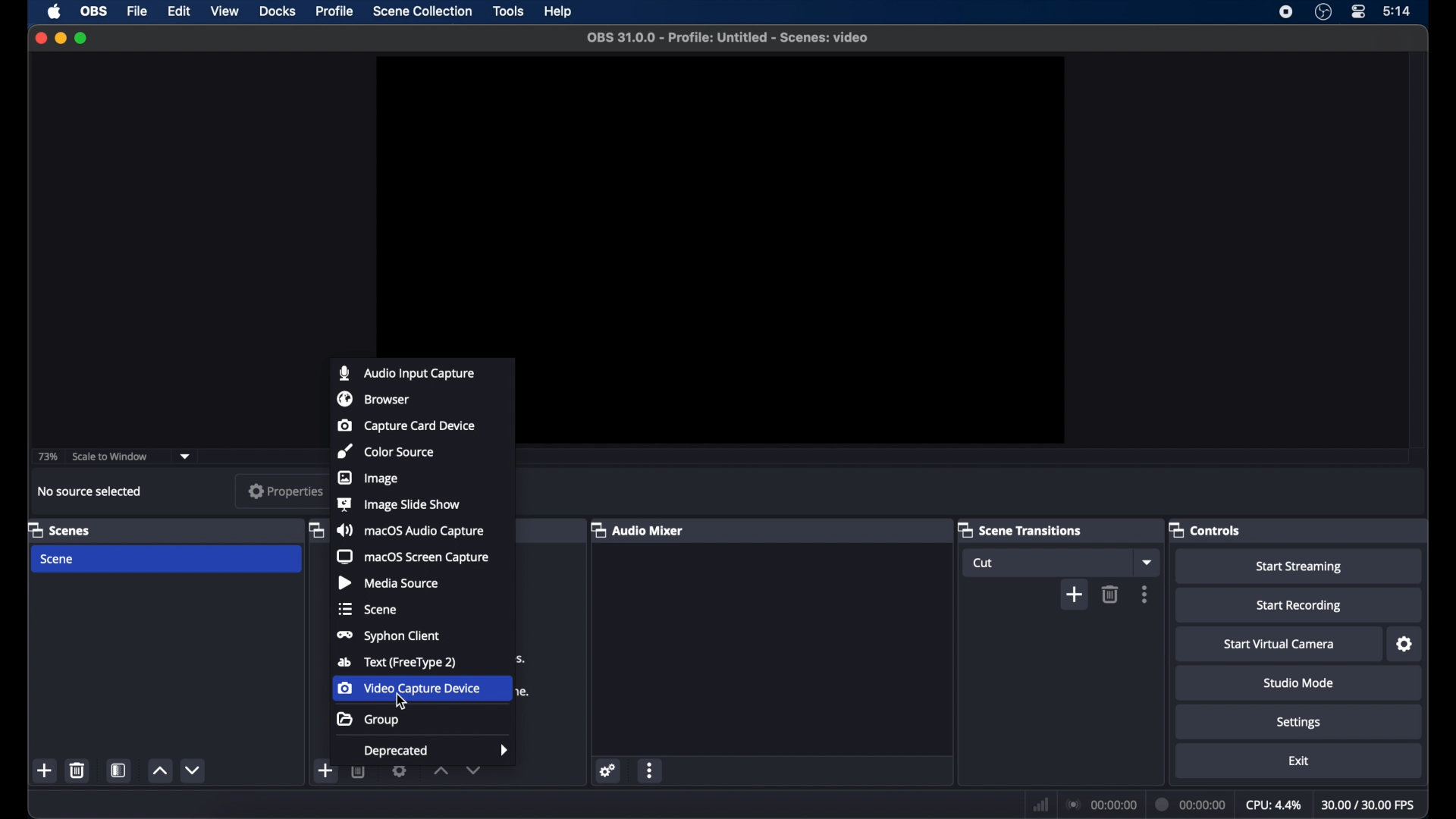 Image resolution: width=1456 pixels, height=819 pixels. I want to click on text, so click(397, 663).